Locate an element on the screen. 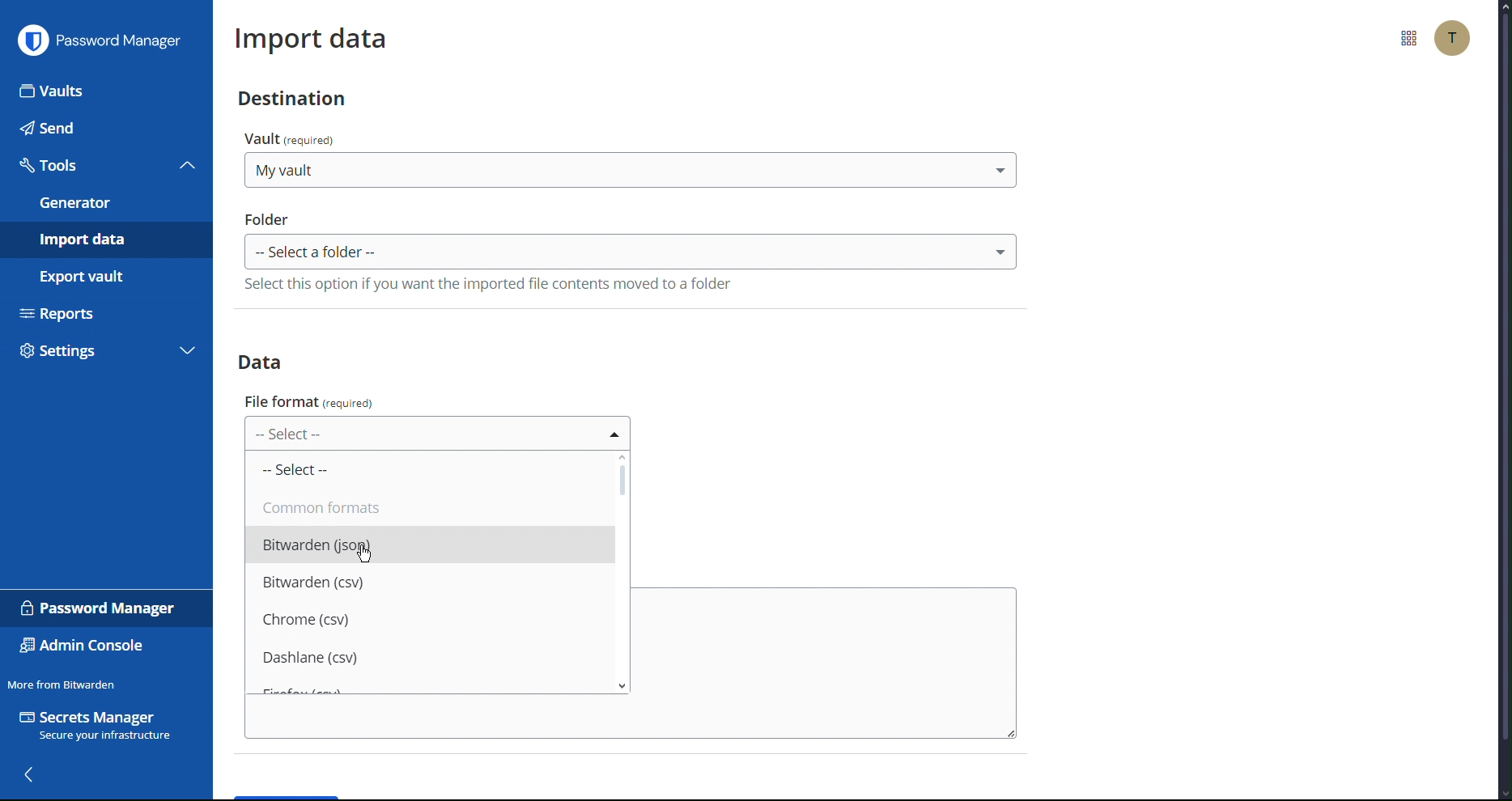  Bitwarden (csv) is located at coordinates (434, 583).